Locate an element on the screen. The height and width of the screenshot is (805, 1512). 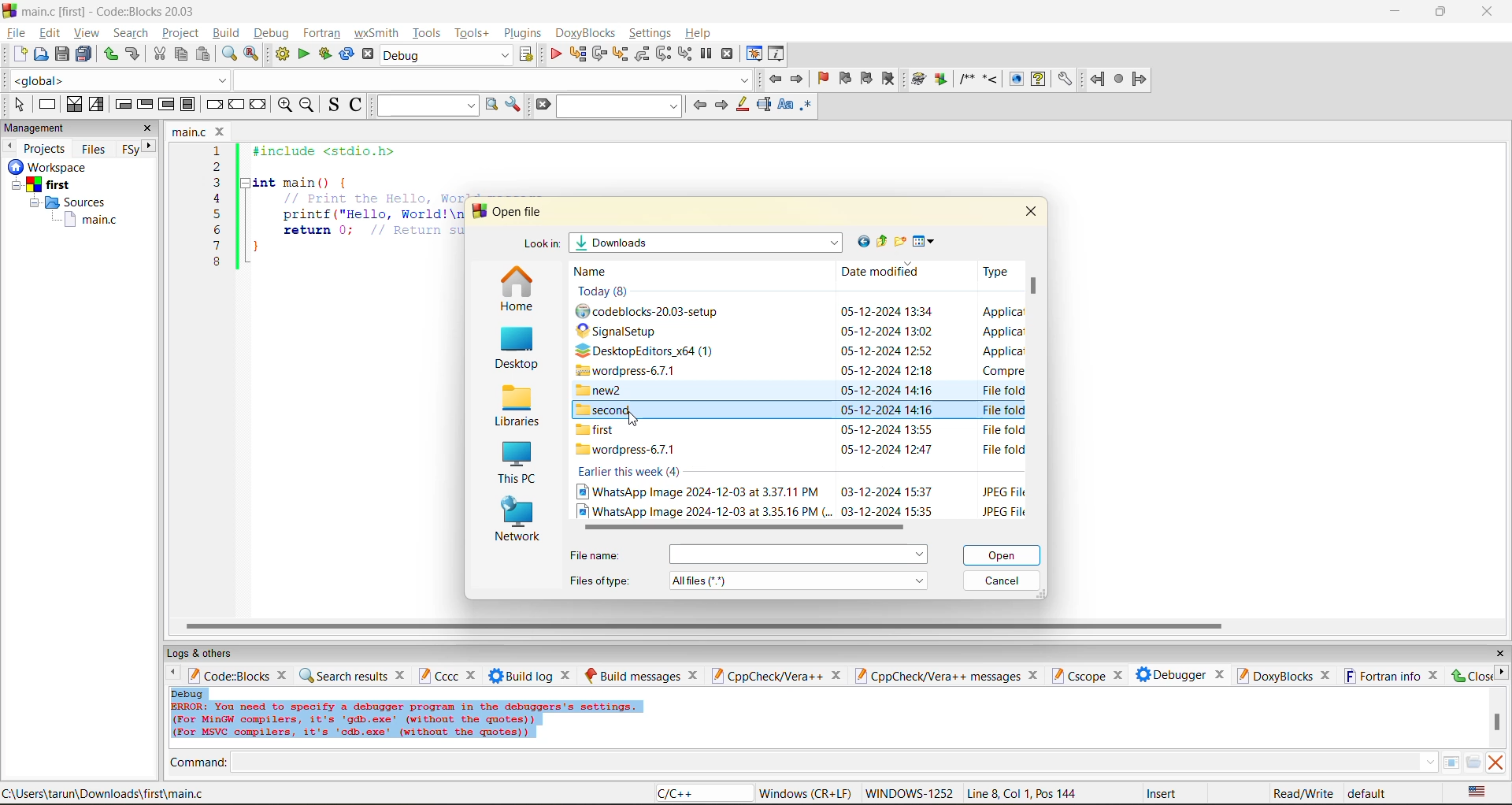
new2 folder is located at coordinates (604, 390).